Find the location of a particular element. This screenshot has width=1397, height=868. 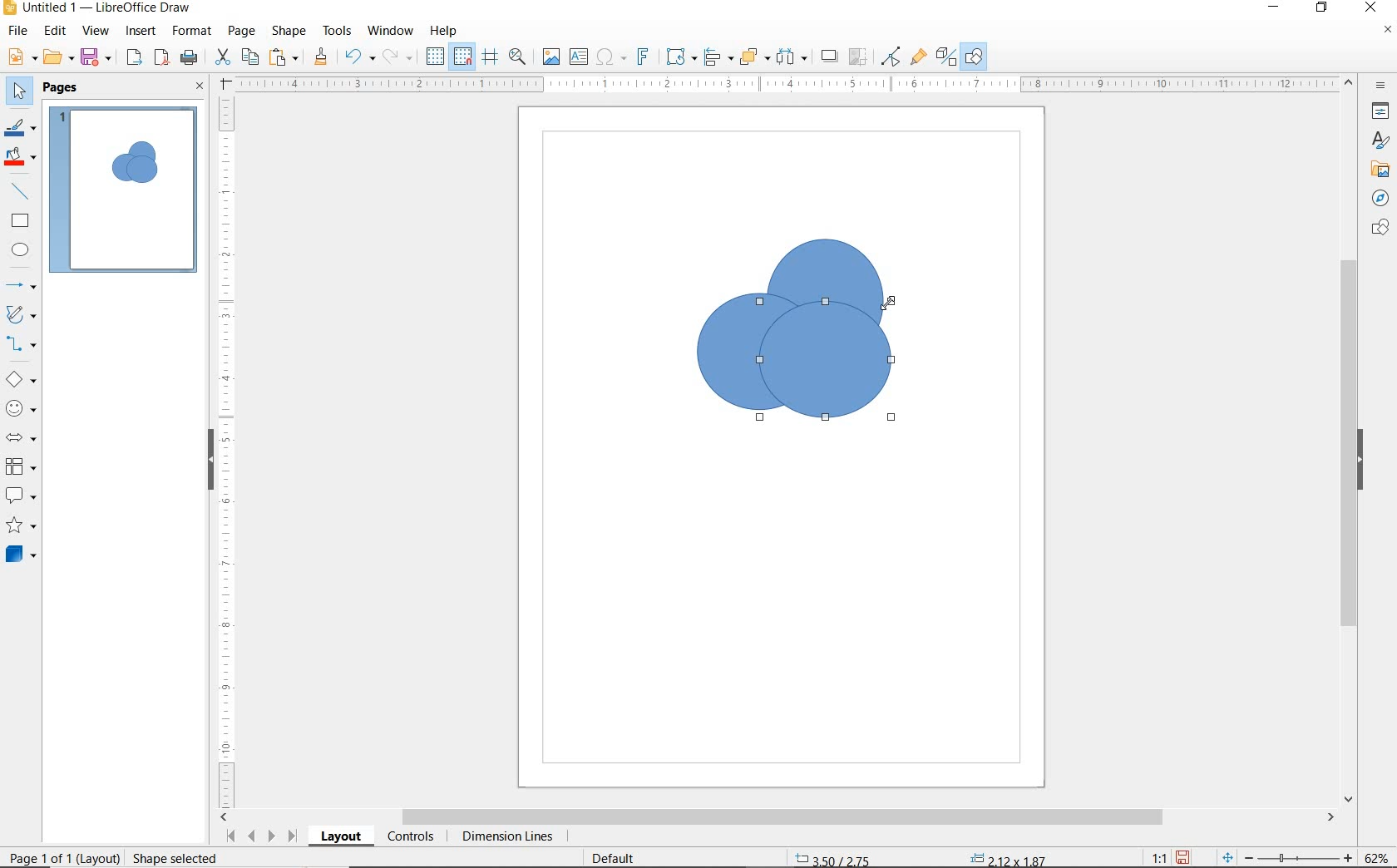

ELLIPSE TOOL is located at coordinates (770, 368).